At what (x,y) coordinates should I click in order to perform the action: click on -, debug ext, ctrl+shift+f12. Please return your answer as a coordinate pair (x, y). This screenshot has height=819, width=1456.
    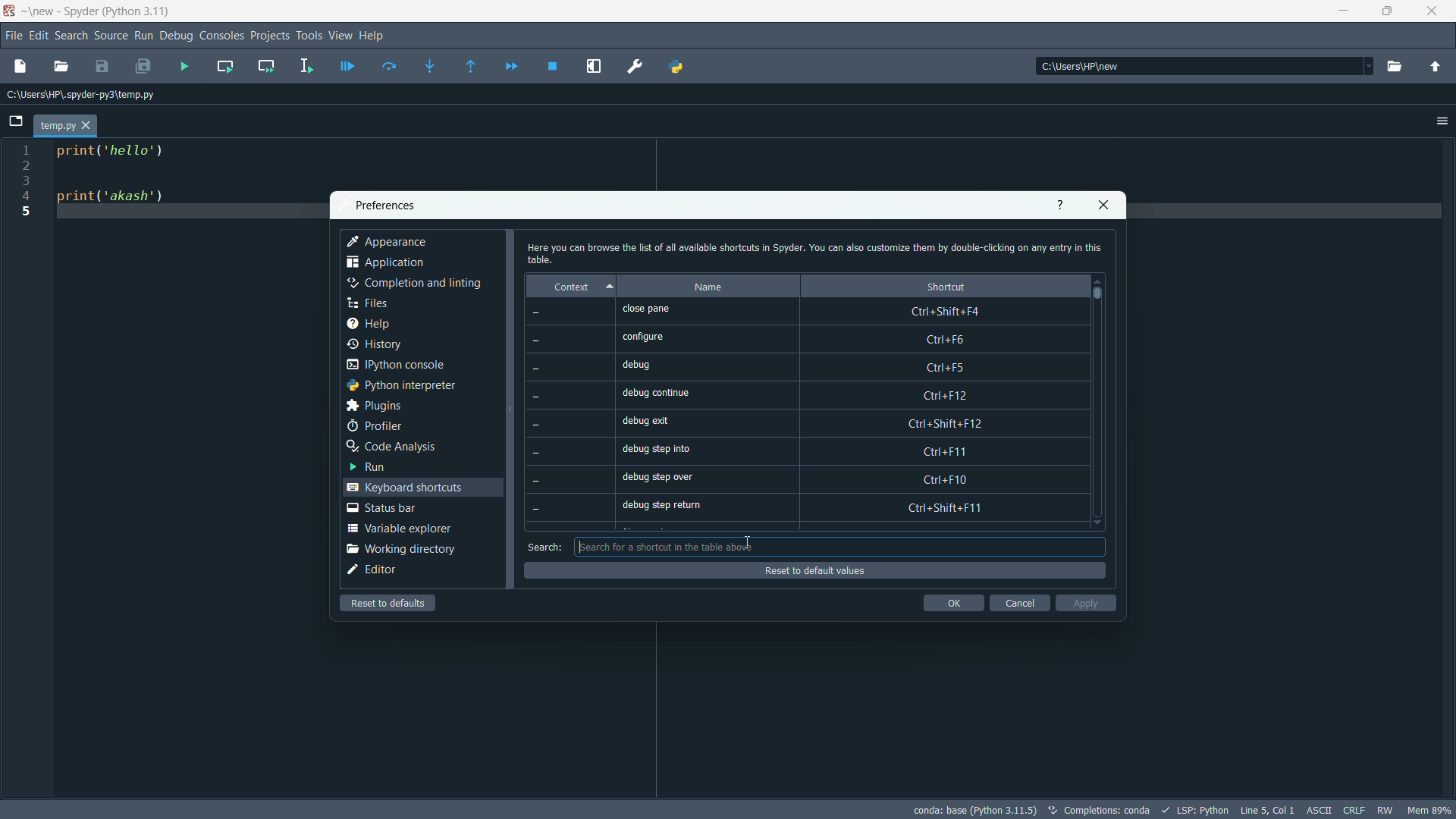
    Looking at the image, I should click on (803, 425).